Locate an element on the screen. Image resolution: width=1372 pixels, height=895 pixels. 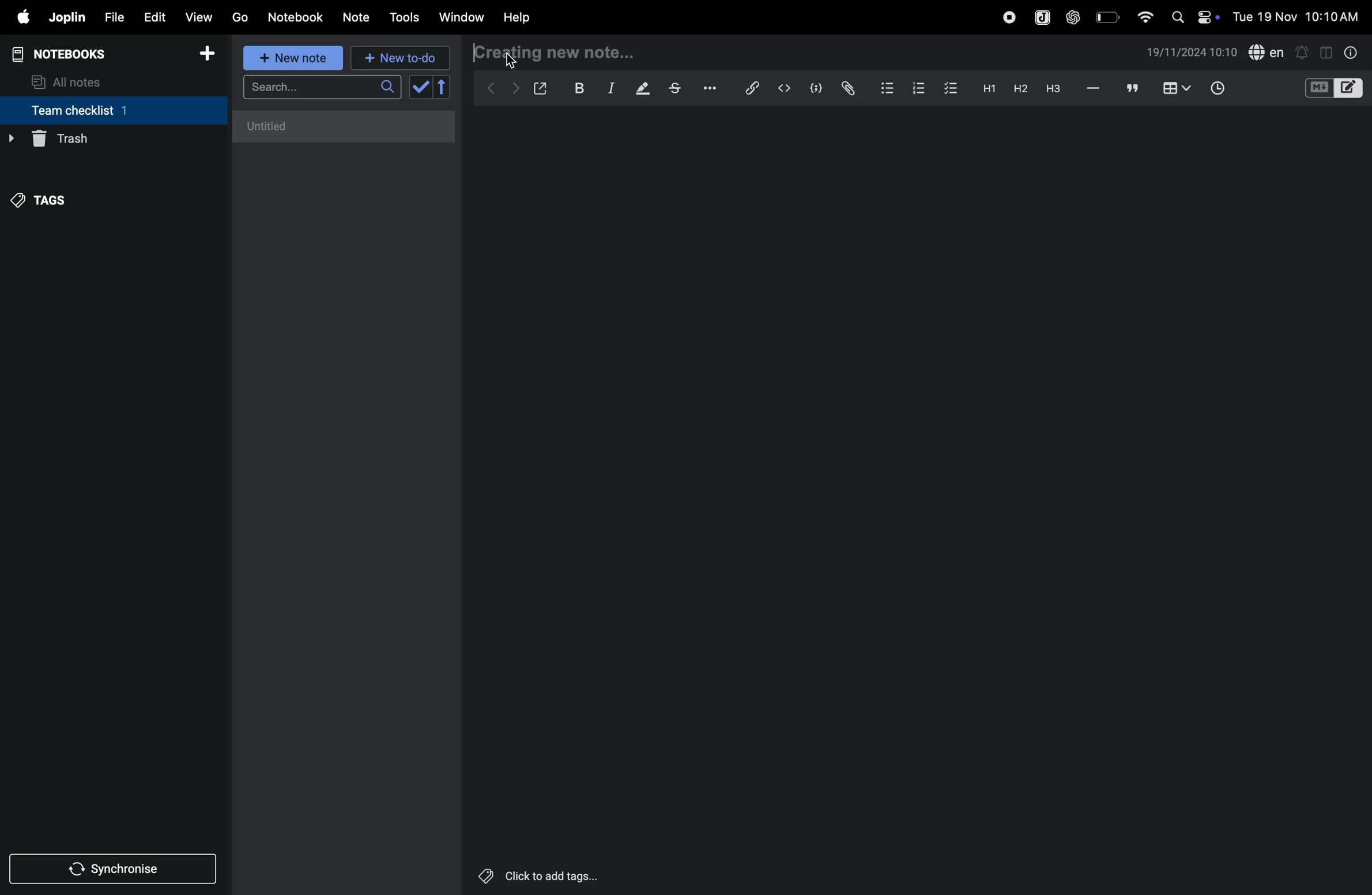
hifen is located at coordinates (1092, 88).